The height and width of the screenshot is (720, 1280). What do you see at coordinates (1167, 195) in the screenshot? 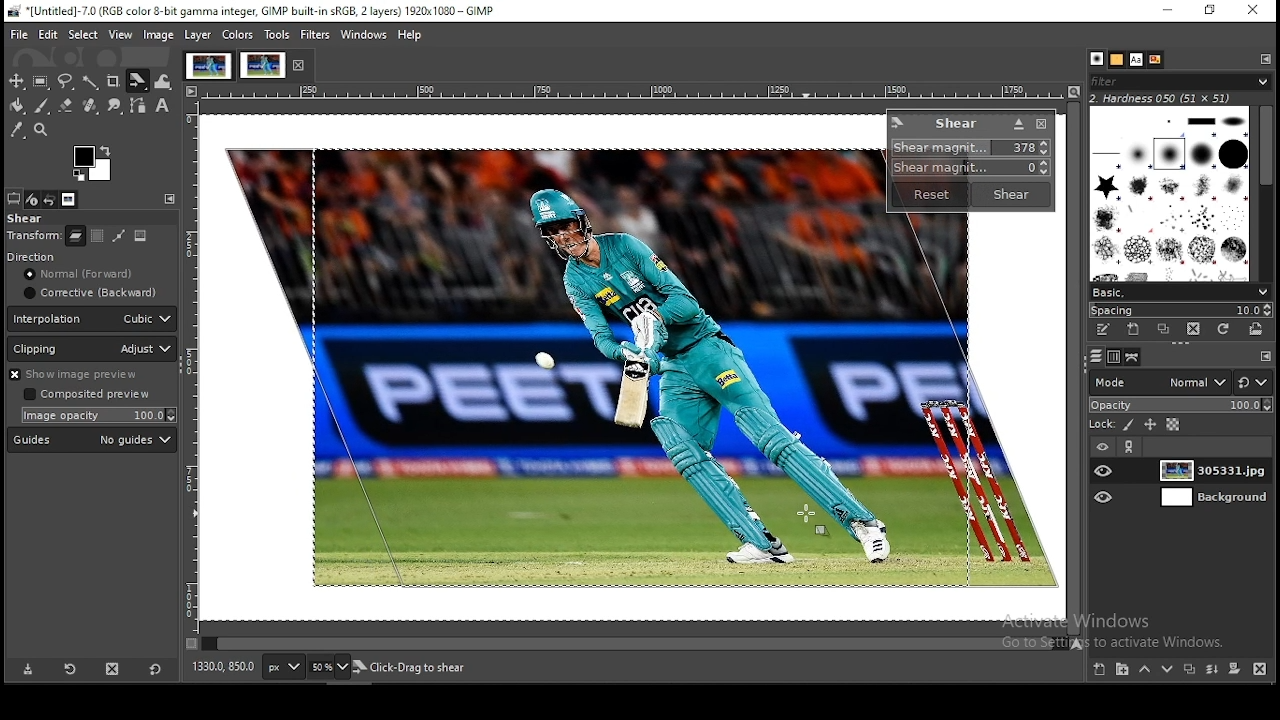
I see `brushes` at bounding box center [1167, 195].